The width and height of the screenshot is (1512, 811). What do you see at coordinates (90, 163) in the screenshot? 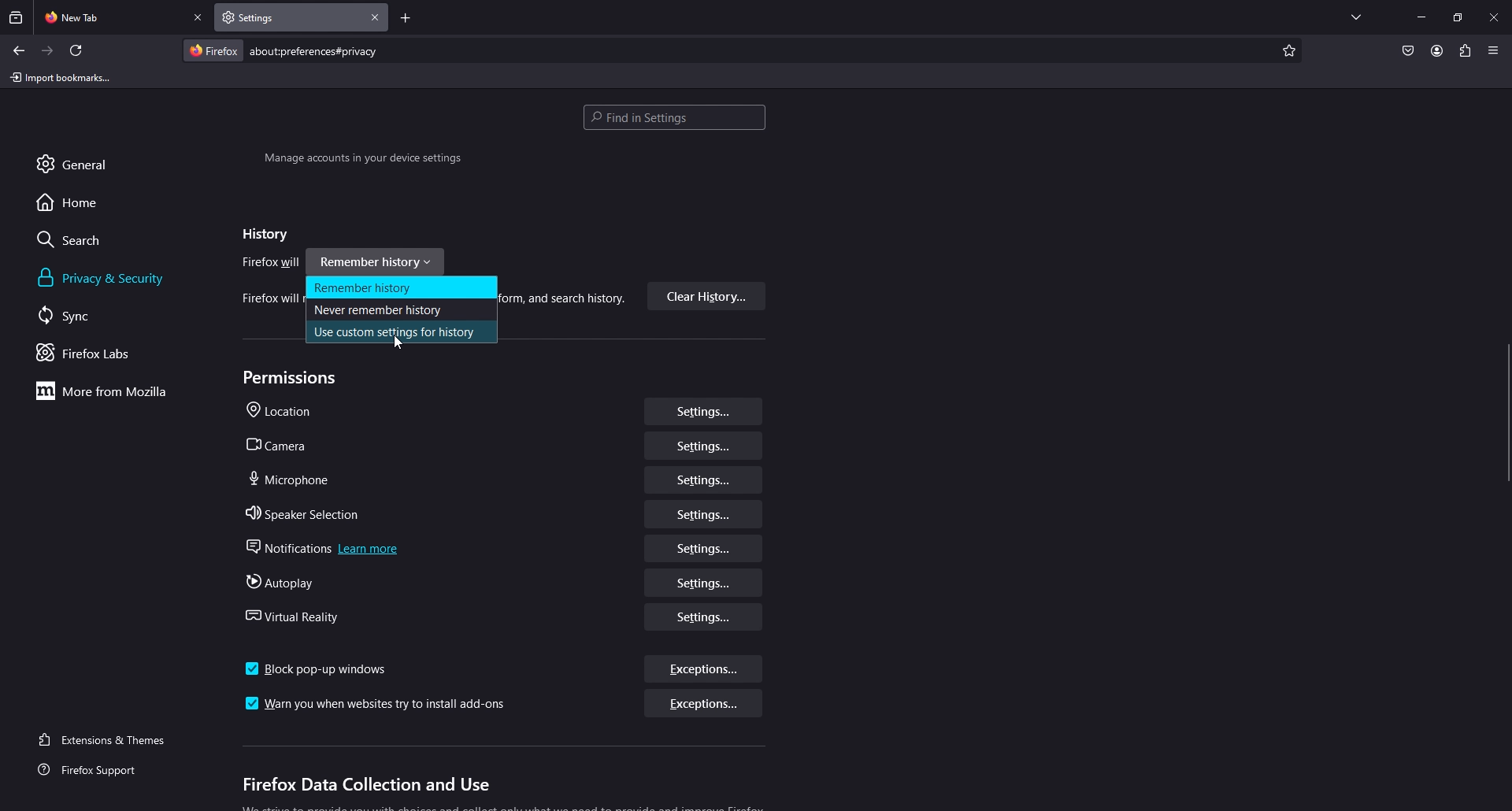
I see `general` at bounding box center [90, 163].